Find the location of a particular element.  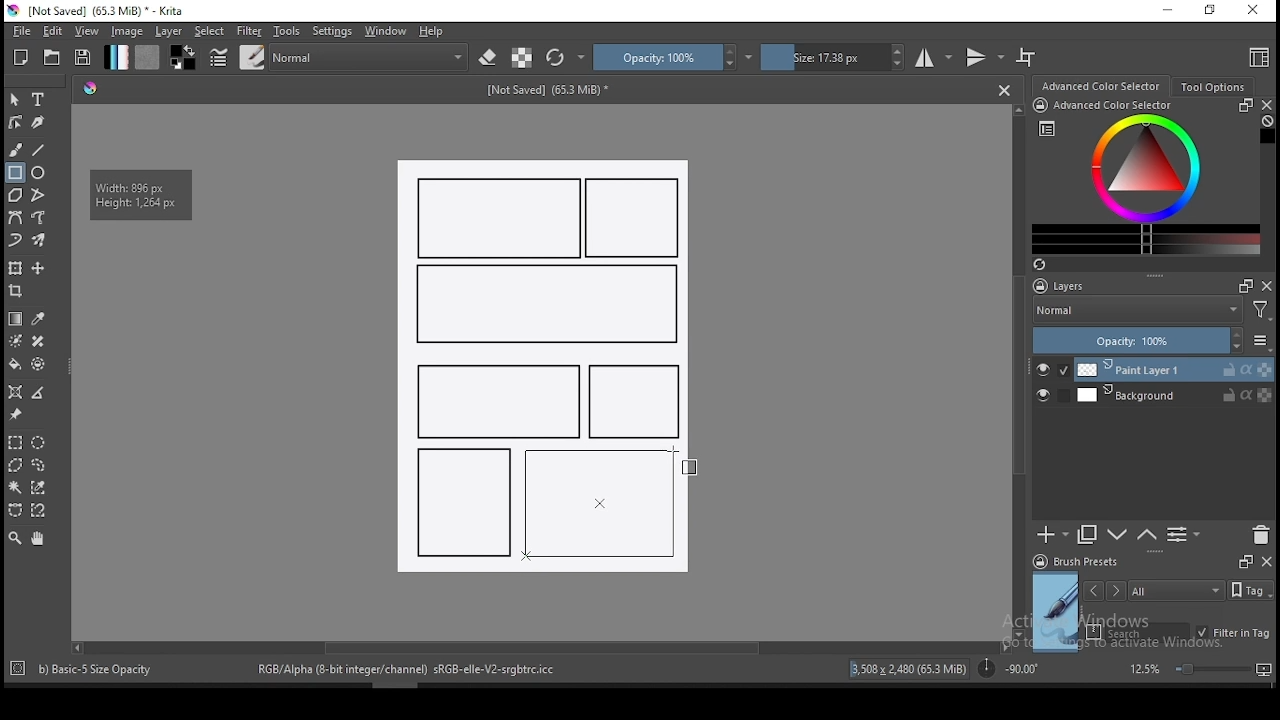

 close window is located at coordinates (1255, 11).